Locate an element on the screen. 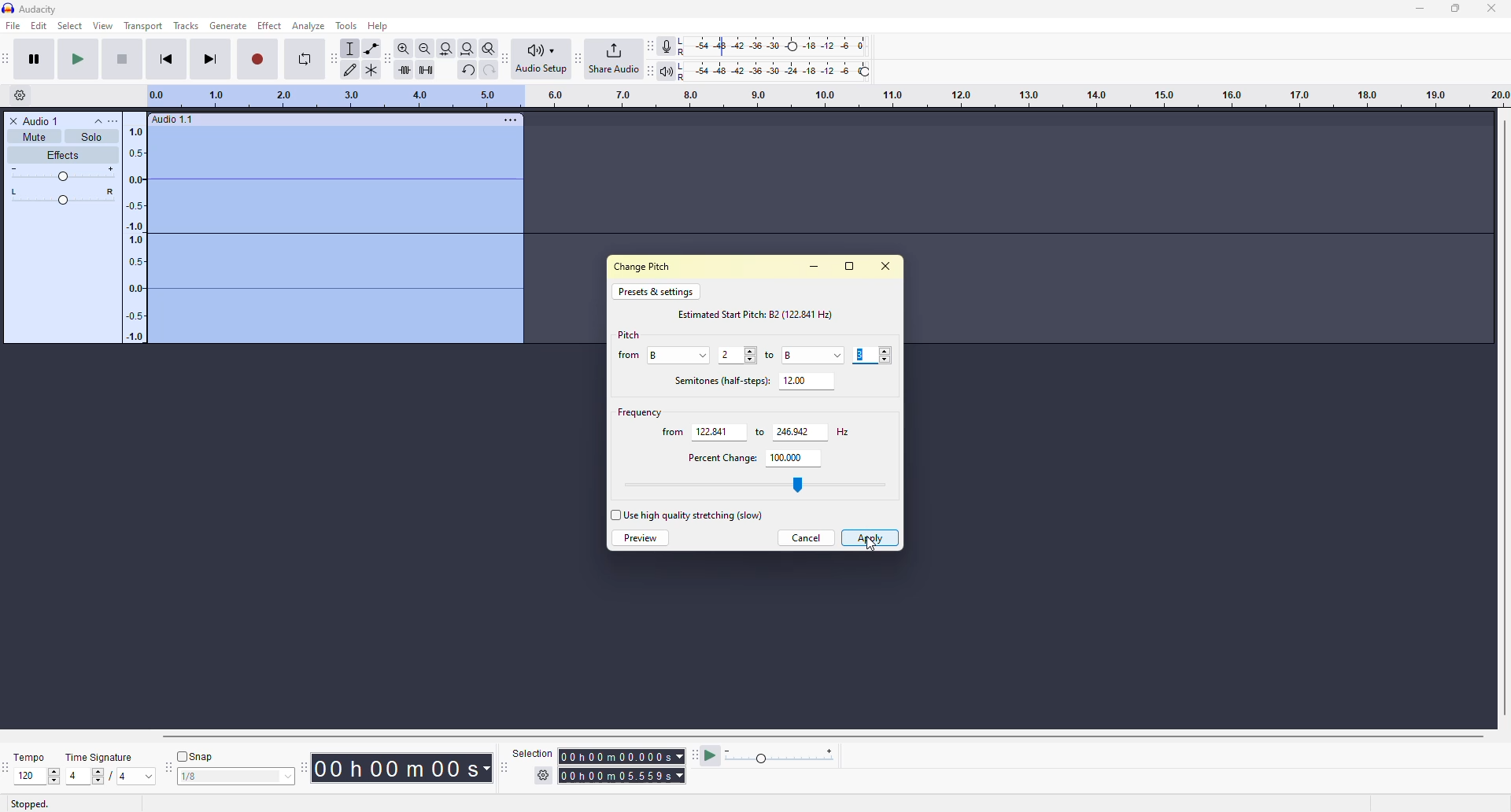  minimize is located at coordinates (814, 265).